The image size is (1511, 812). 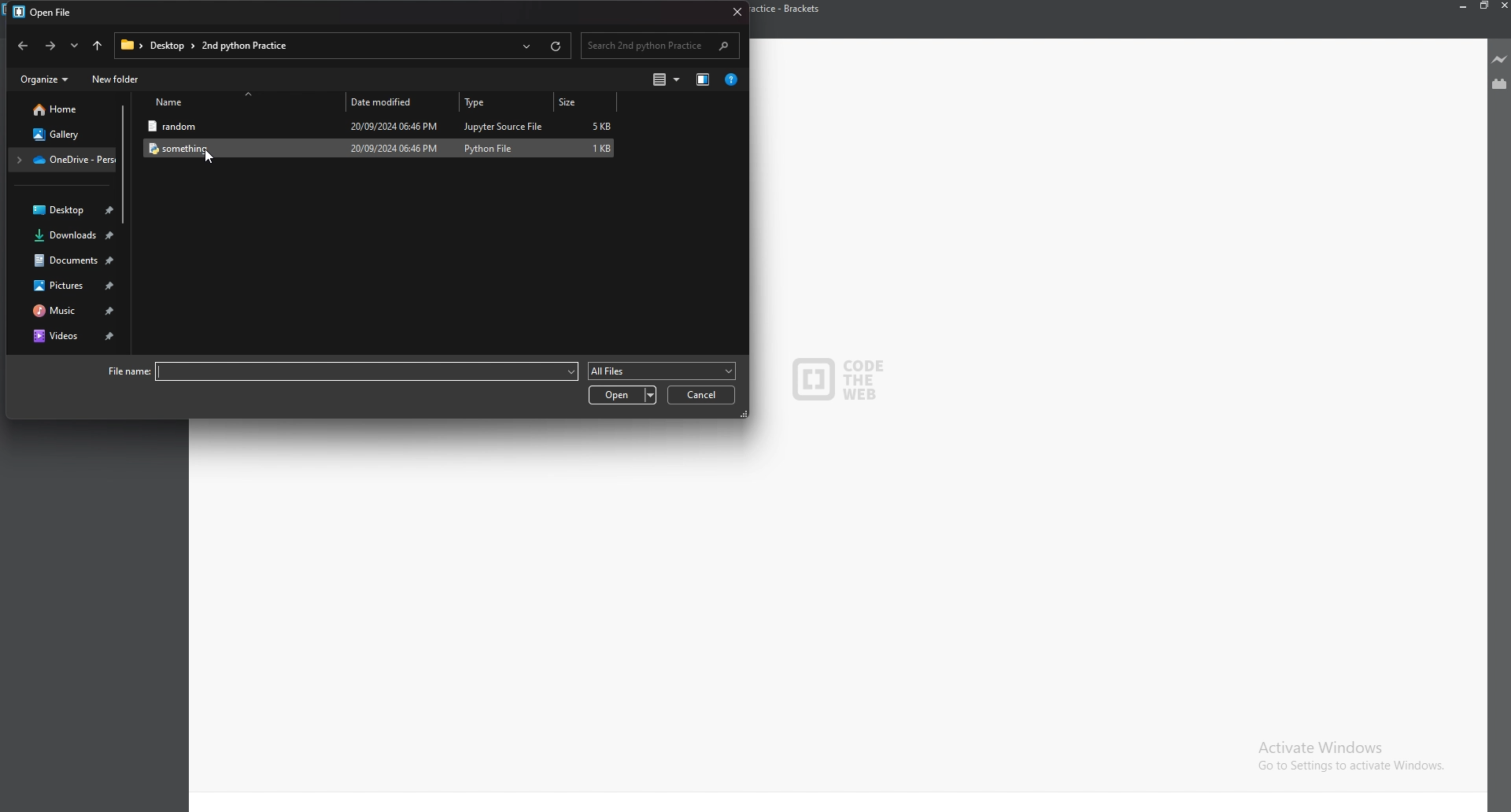 I want to click on previous, so click(x=24, y=46).